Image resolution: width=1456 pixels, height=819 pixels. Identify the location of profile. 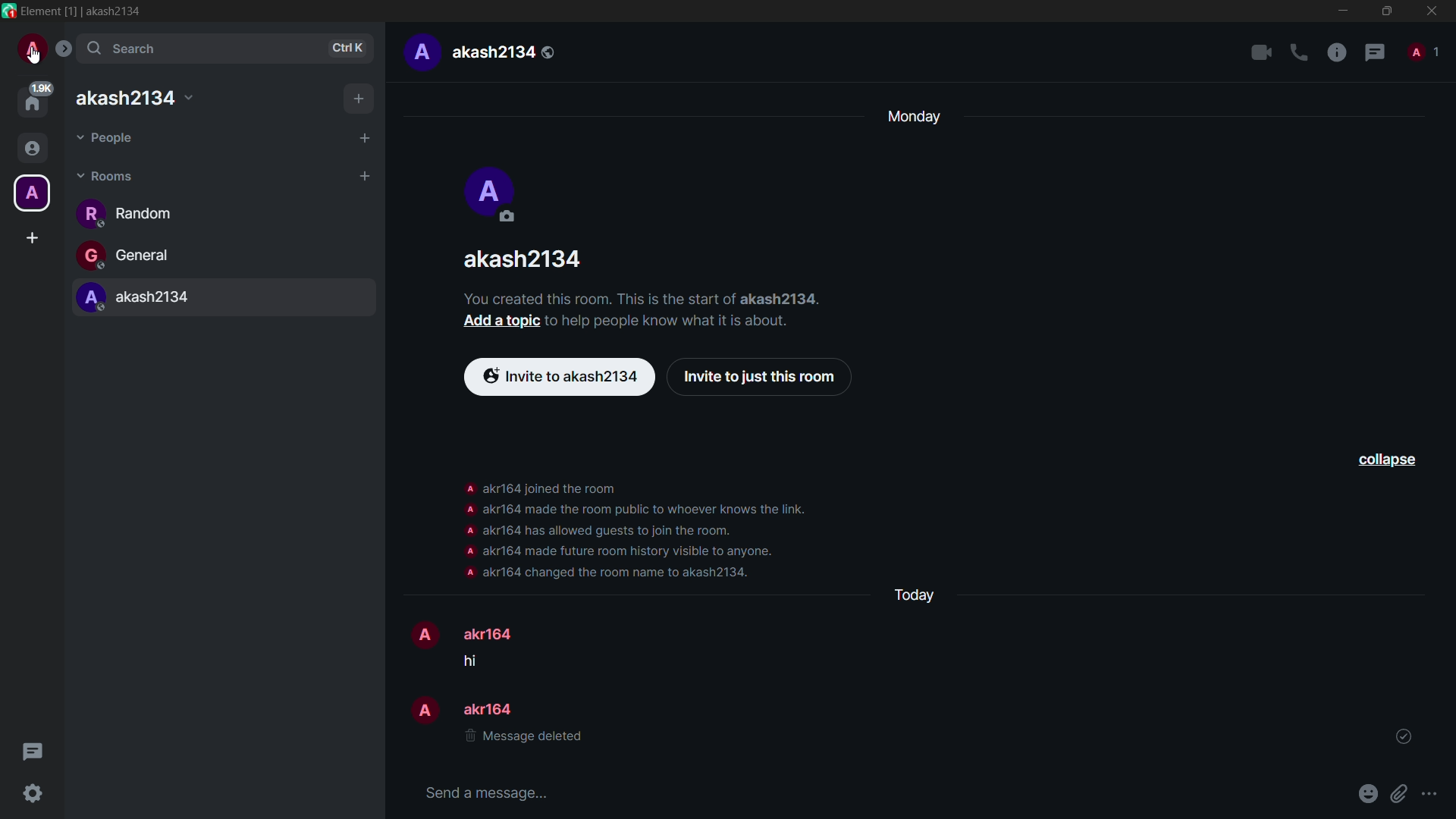
(469, 509).